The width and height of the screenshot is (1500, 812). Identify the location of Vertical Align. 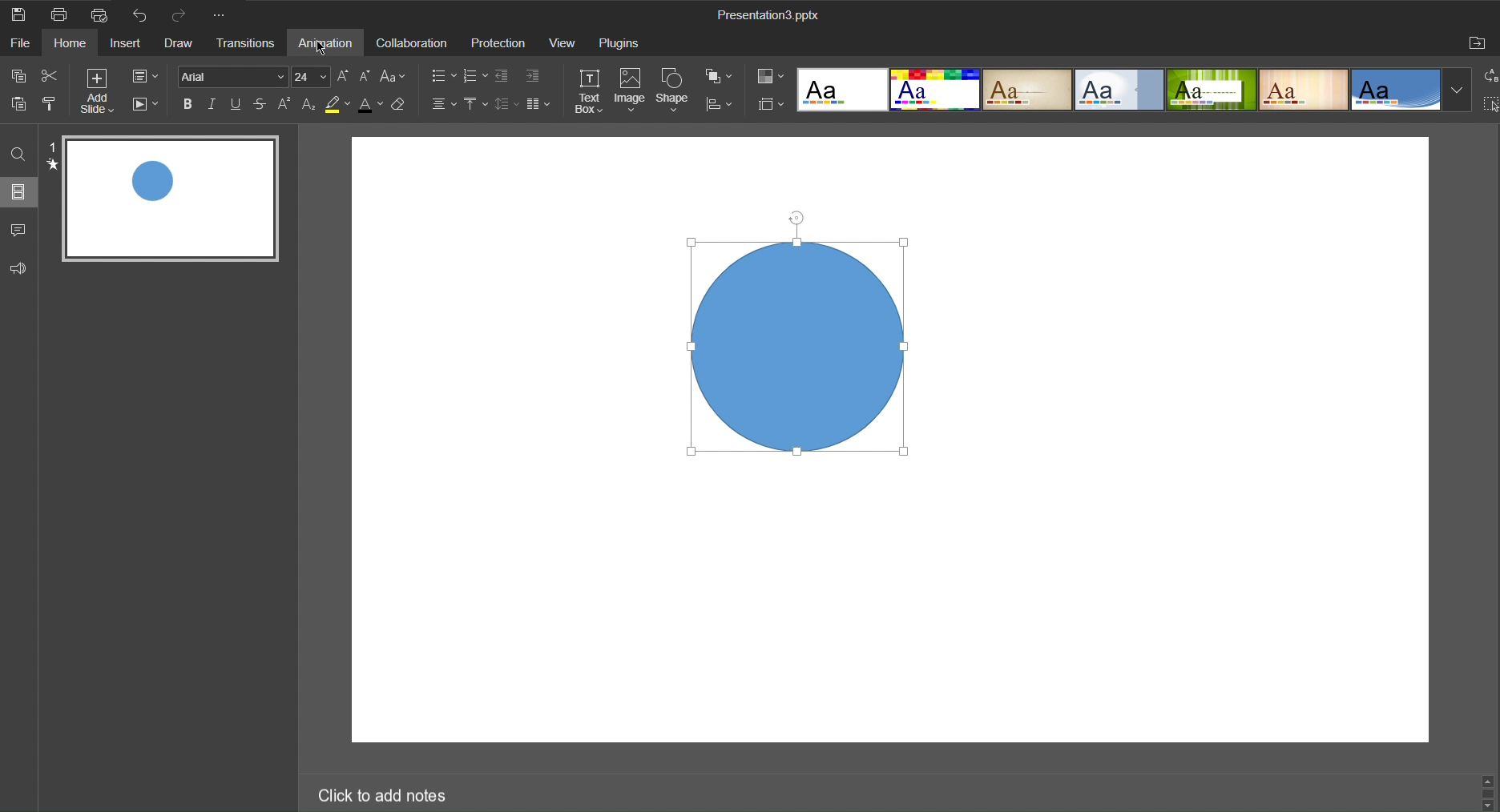
(477, 107).